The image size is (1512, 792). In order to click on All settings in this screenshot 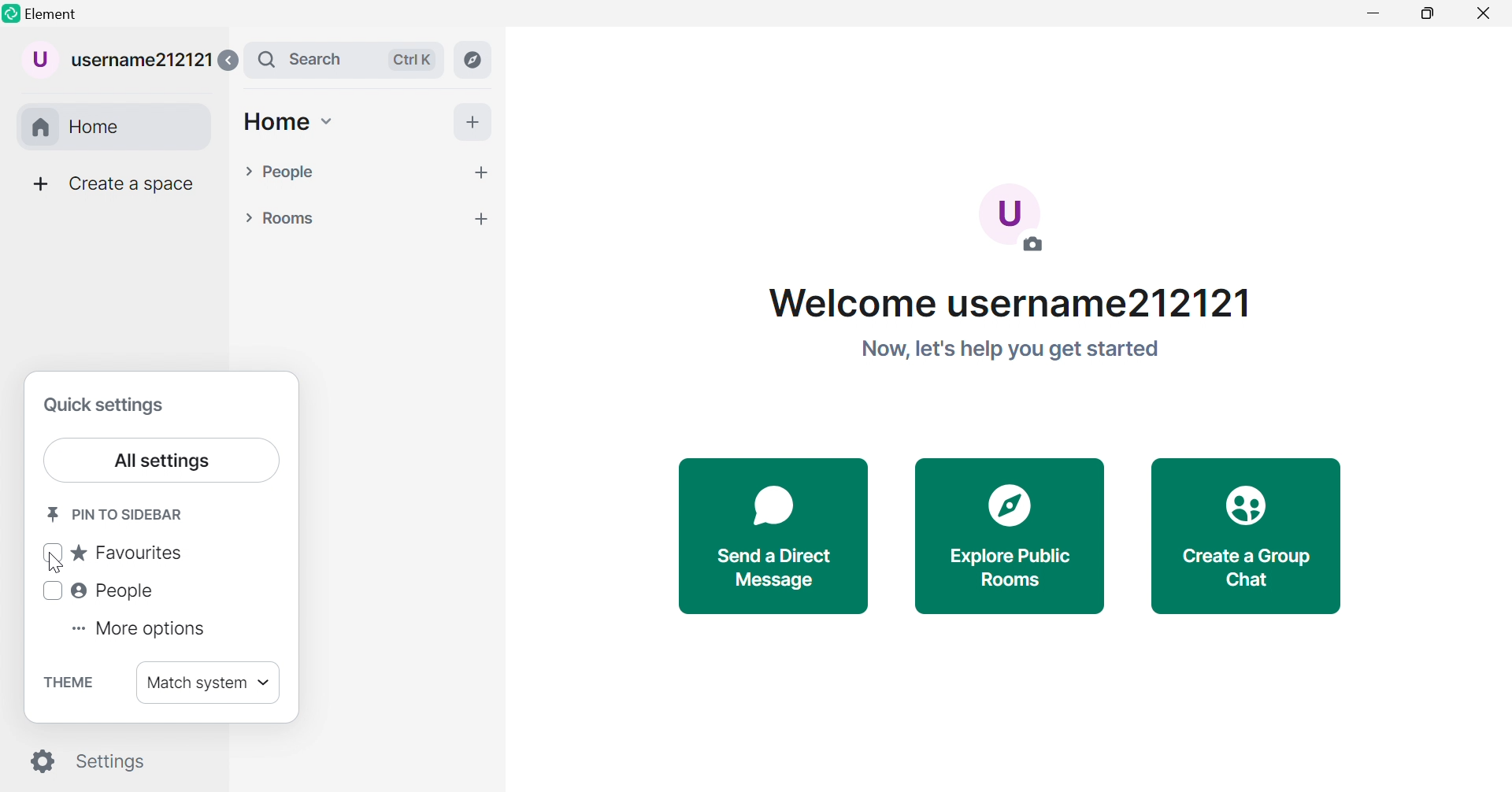, I will do `click(160, 460)`.